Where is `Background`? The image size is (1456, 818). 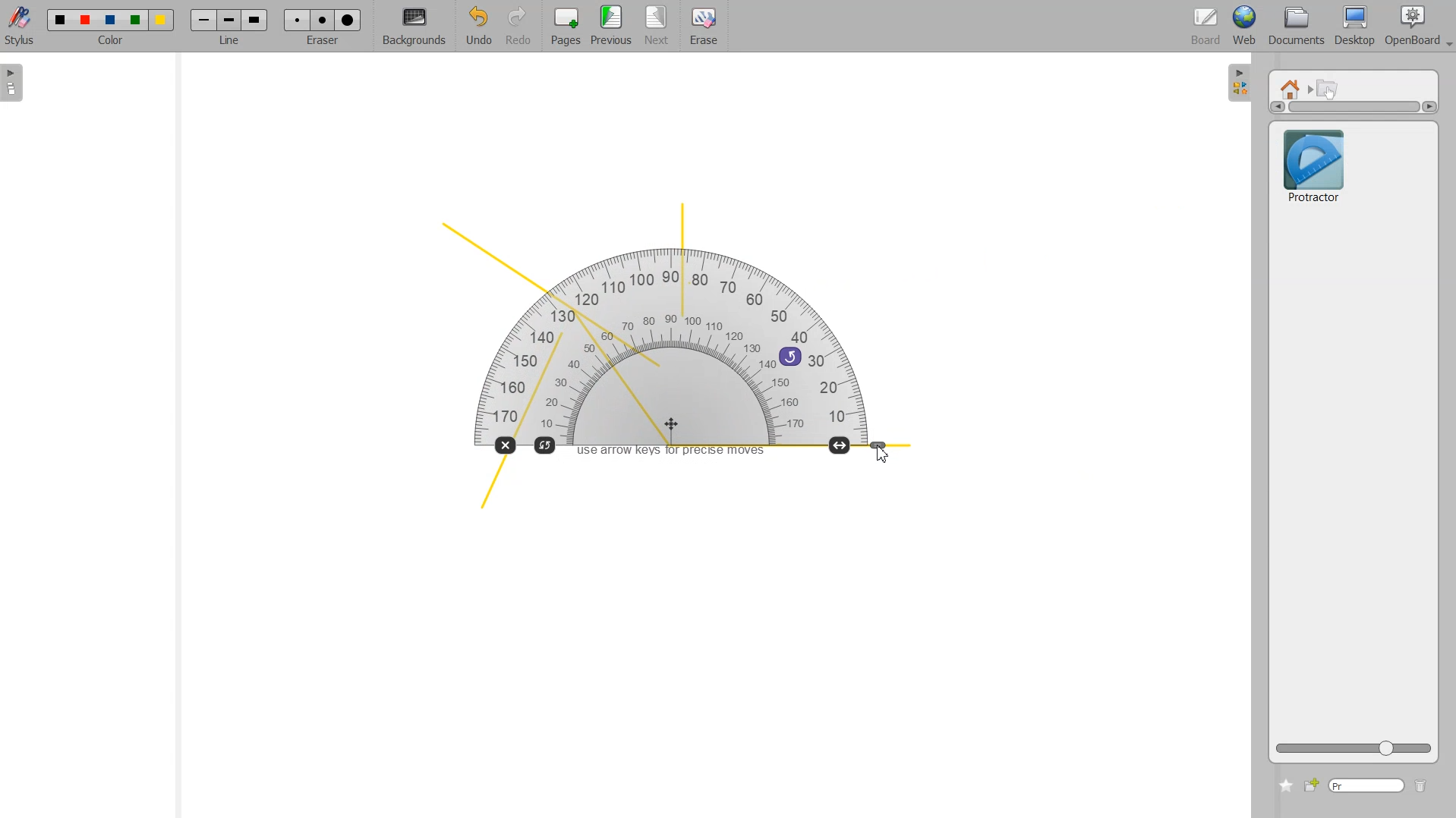 Background is located at coordinates (414, 27).